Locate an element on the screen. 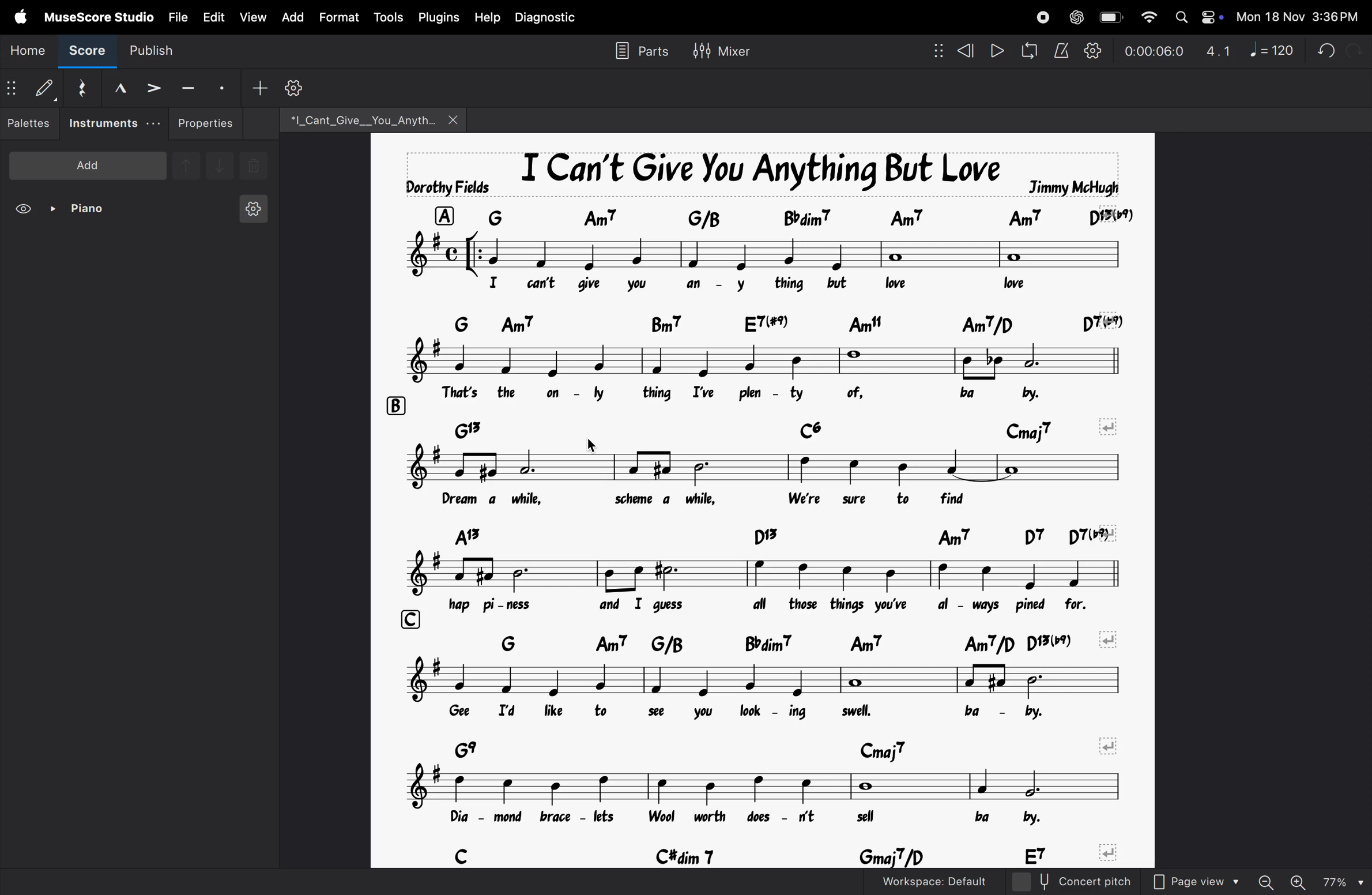 The width and height of the screenshot is (1372, 895). diagnostic is located at coordinates (549, 17).